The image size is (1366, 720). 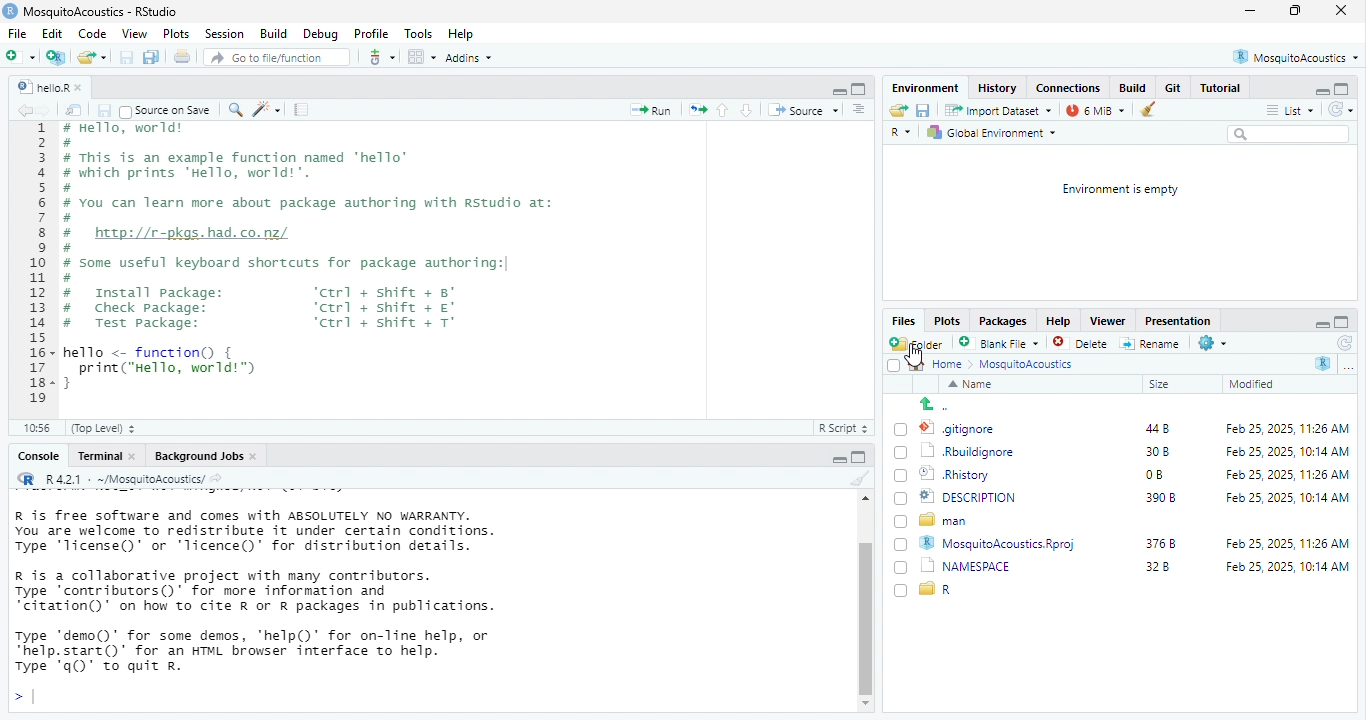 I want to click on  History, so click(x=1001, y=88).